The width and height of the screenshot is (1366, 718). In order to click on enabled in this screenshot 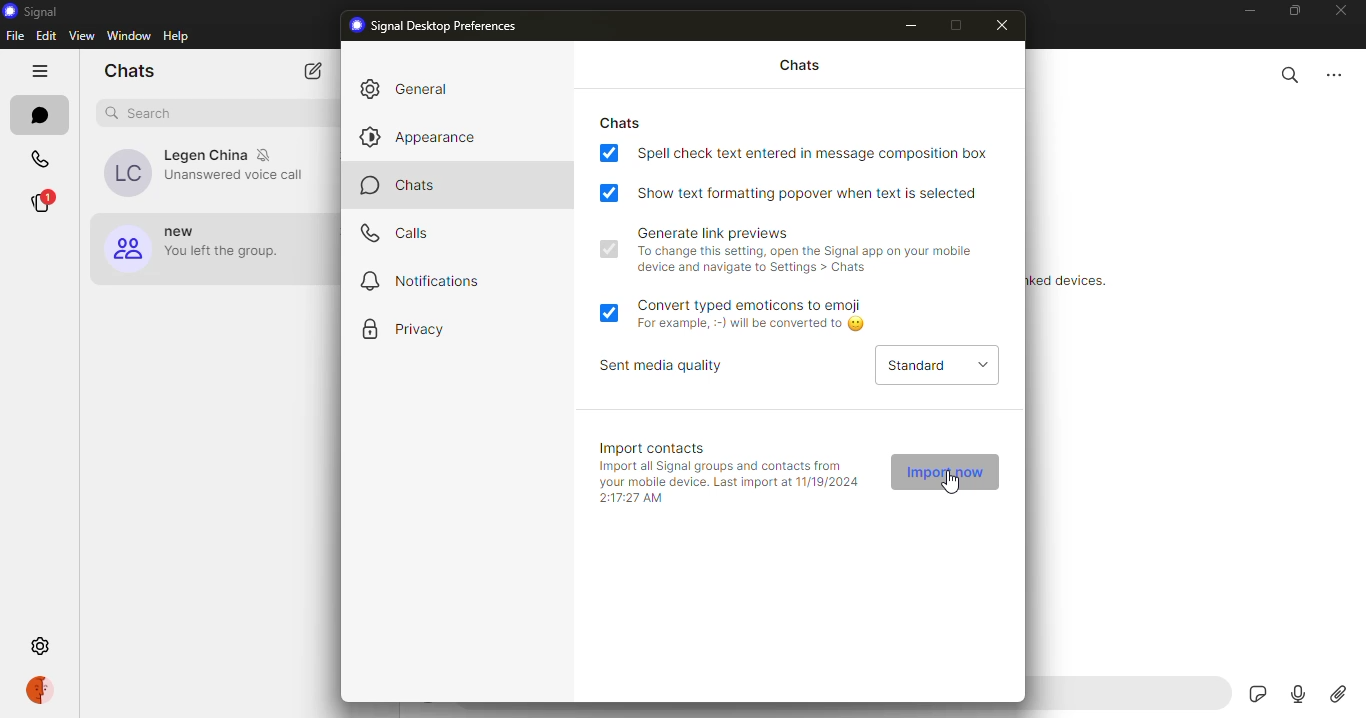, I will do `click(610, 311)`.